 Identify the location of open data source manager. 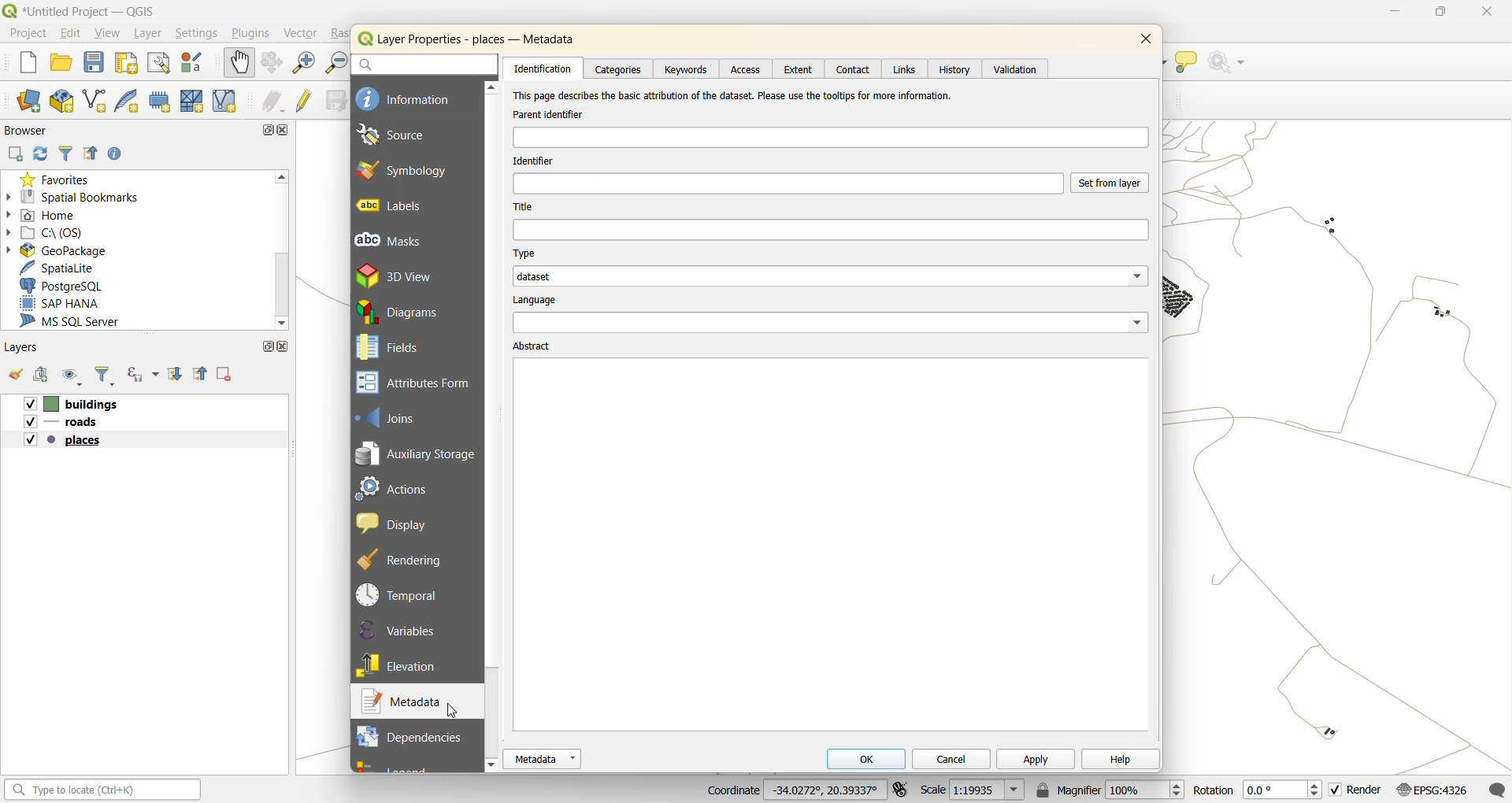
(33, 101).